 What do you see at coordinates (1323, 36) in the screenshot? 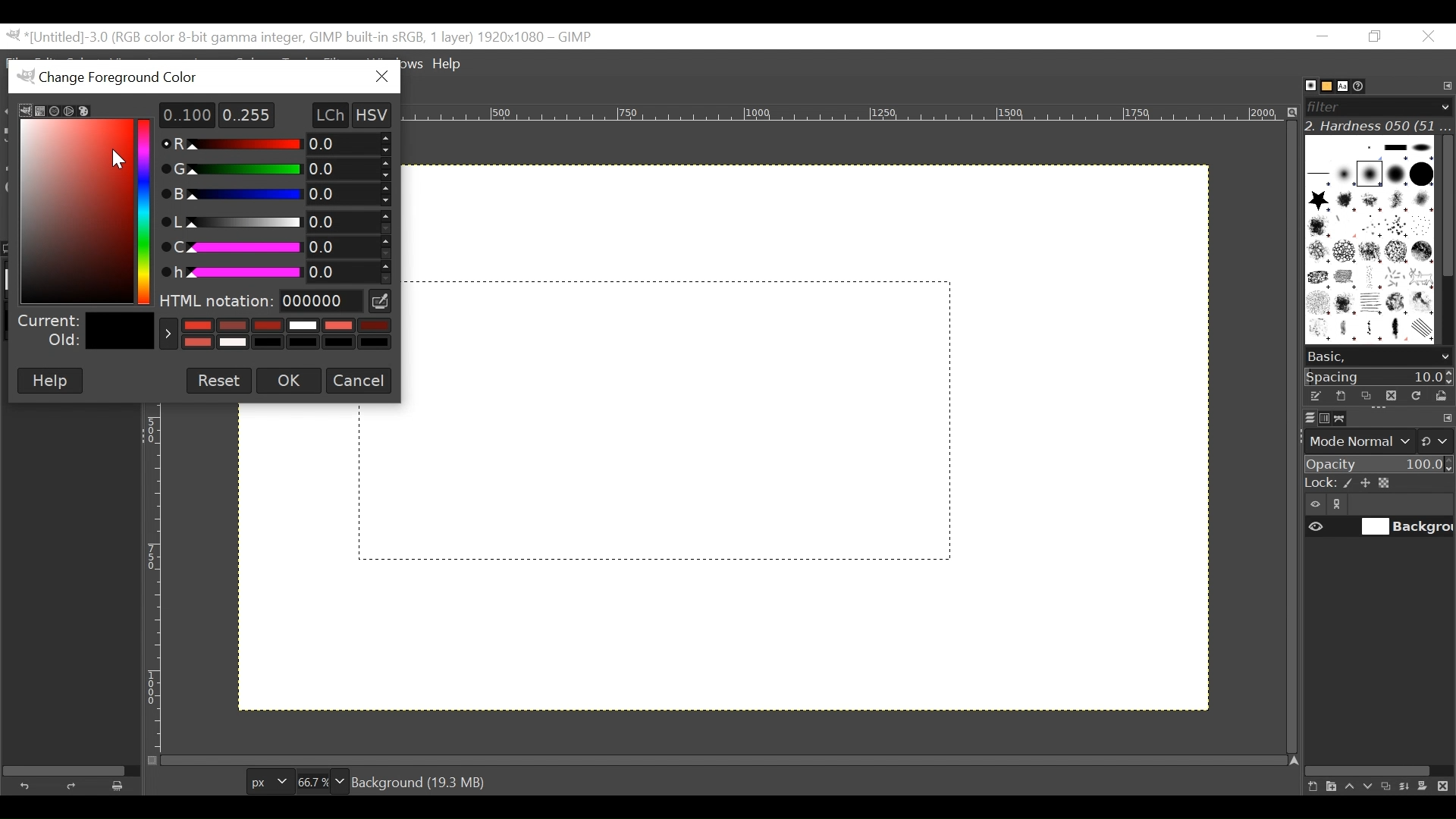
I see `Minimize` at bounding box center [1323, 36].